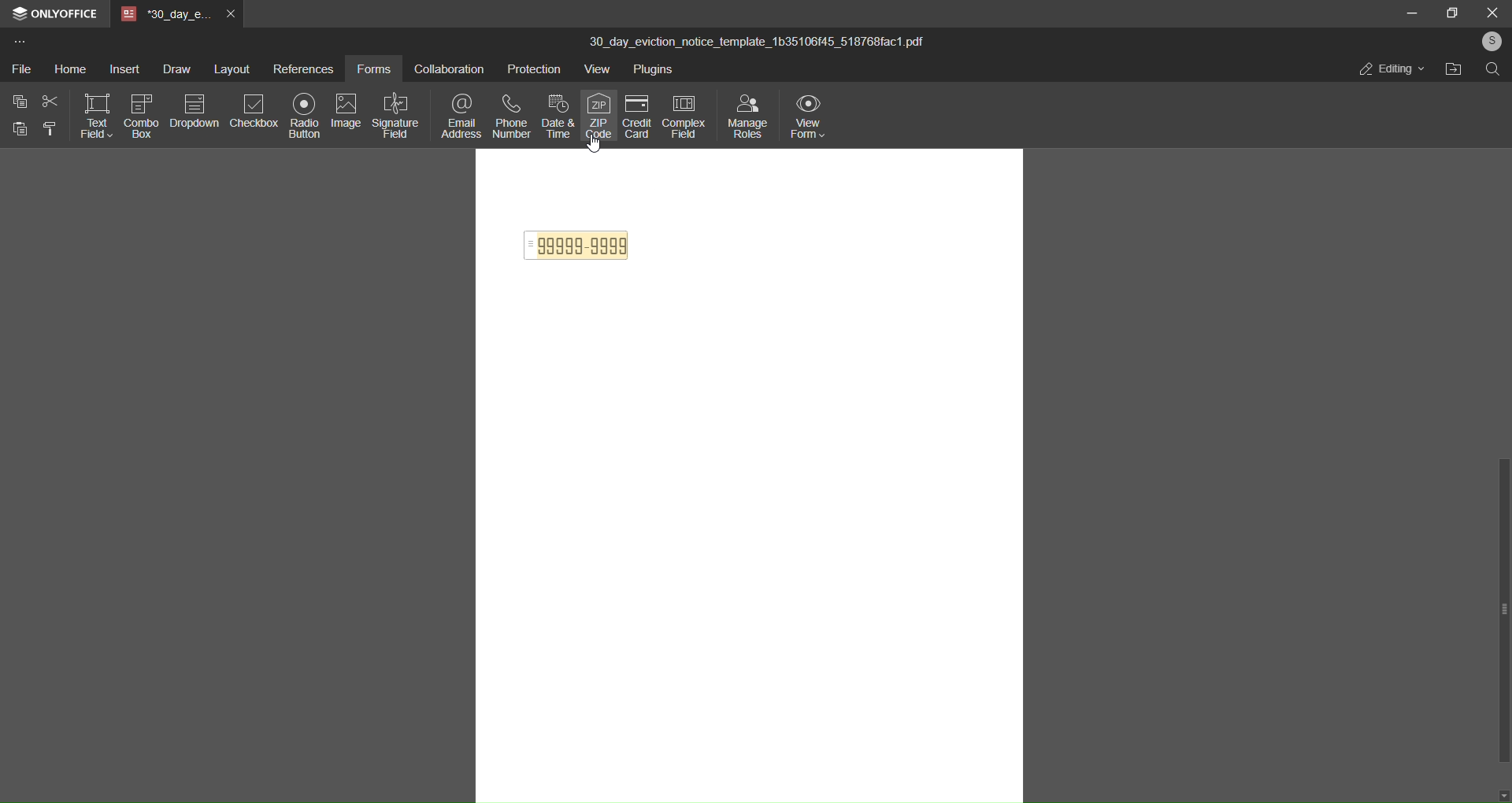  Describe the element at coordinates (235, 12) in the screenshot. I see `close tab` at that location.